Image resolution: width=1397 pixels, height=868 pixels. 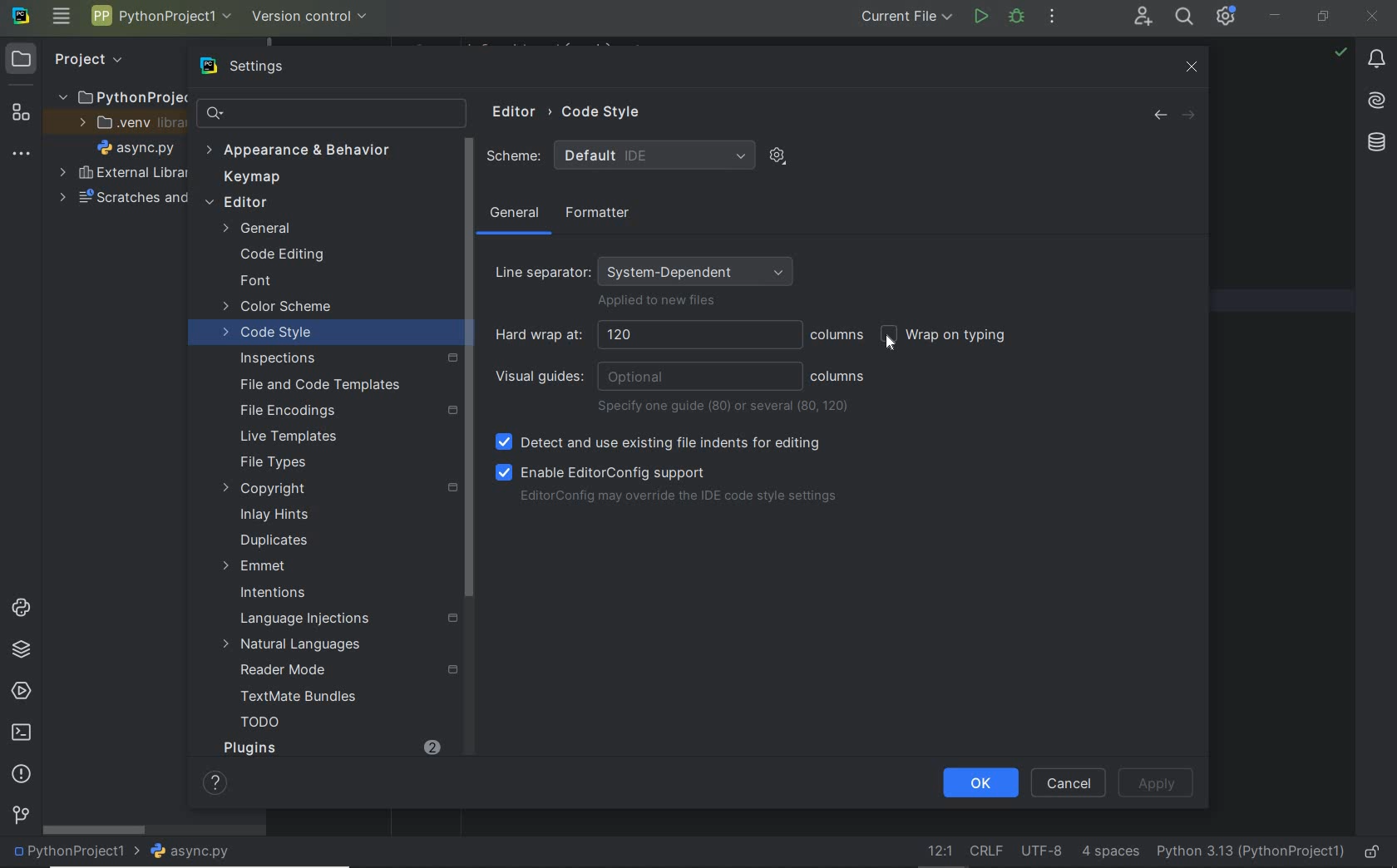 What do you see at coordinates (1186, 18) in the screenshot?
I see `search everywhere` at bounding box center [1186, 18].